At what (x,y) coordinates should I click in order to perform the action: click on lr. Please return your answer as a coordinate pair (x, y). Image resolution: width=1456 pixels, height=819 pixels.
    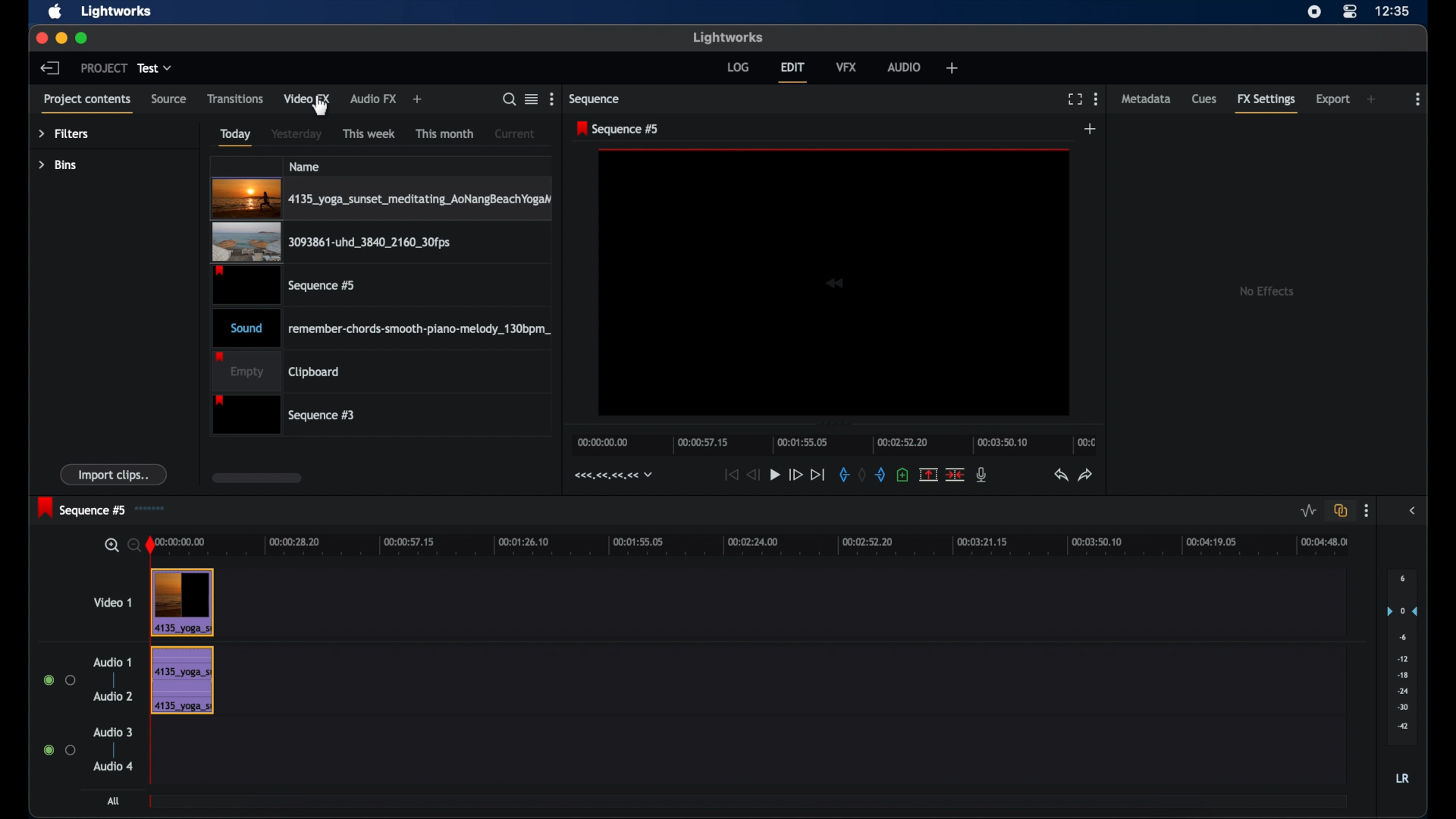
    Looking at the image, I should click on (1402, 780).